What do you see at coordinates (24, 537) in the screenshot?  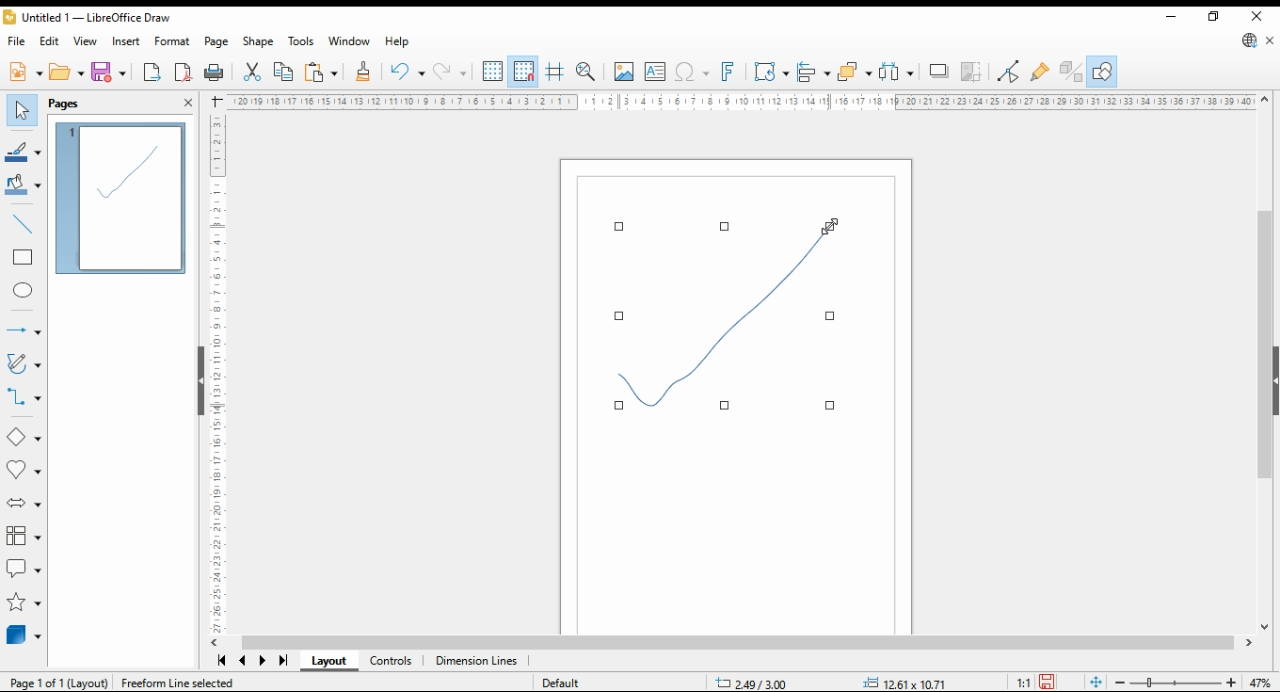 I see `flowchart` at bounding box center [24, 537].